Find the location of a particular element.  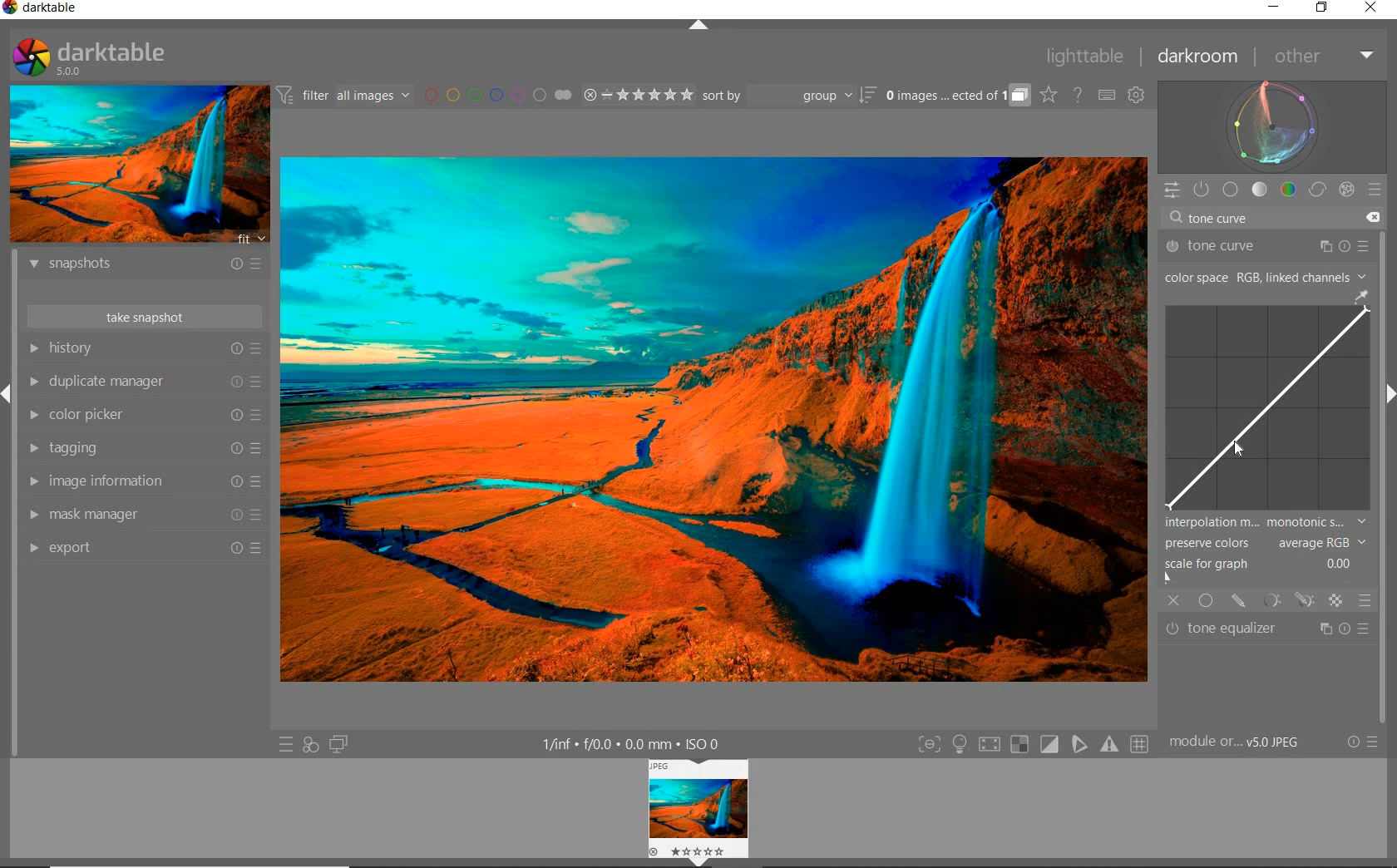

duplicate manager is located at coordinates (144, 381).